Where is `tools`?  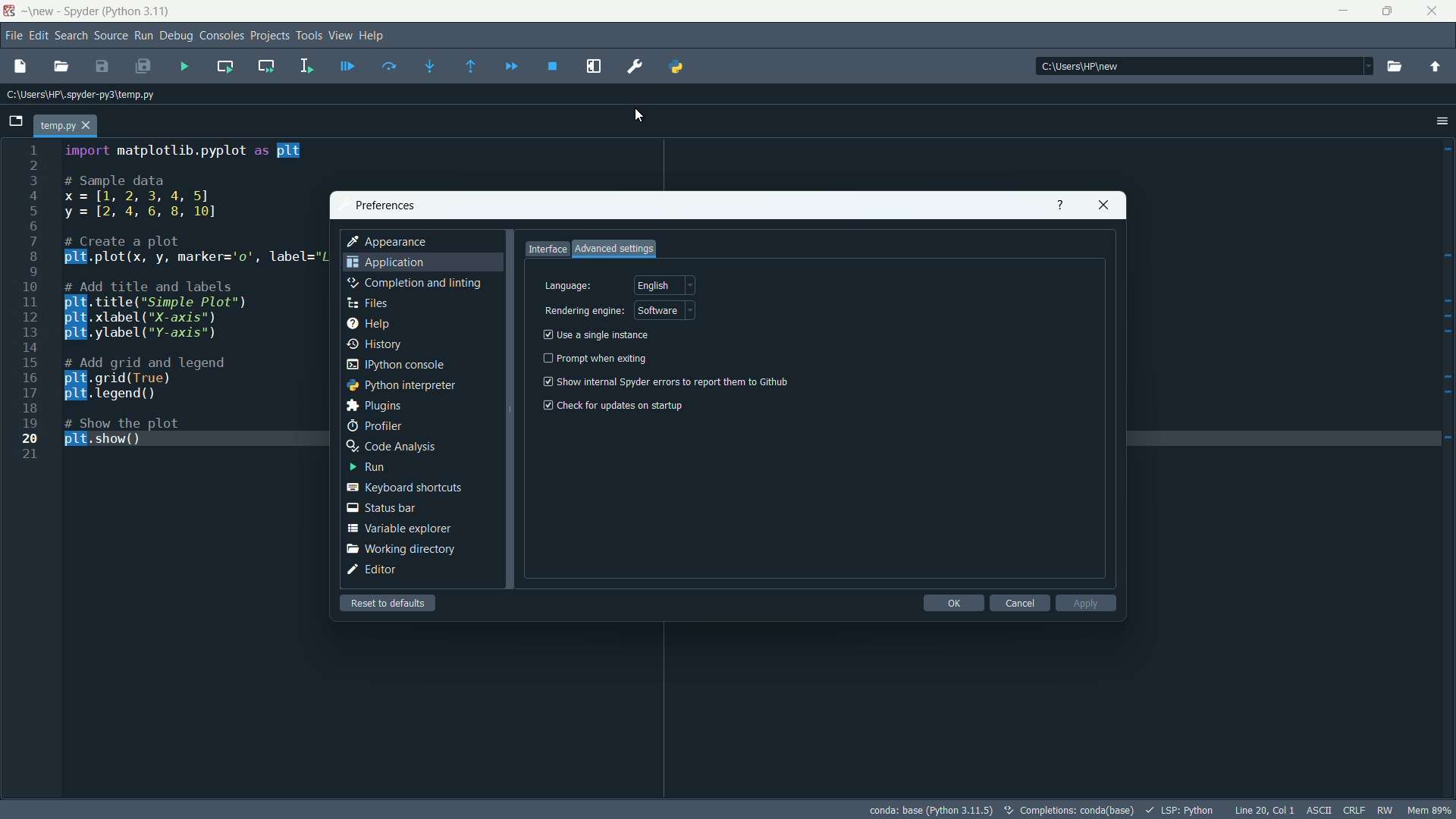 tools is located at coordinates (310, 36).